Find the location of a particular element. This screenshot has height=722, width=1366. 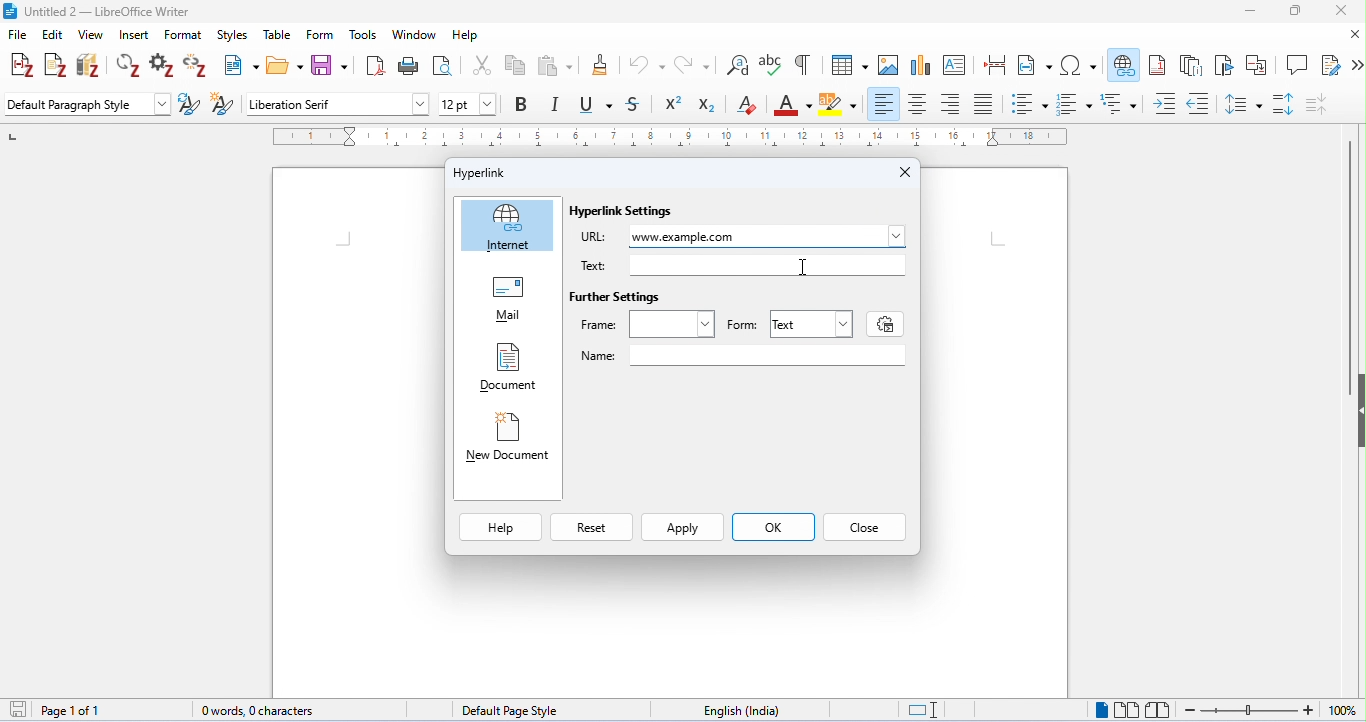

bulleted style is located at coordinates (1031, 105).